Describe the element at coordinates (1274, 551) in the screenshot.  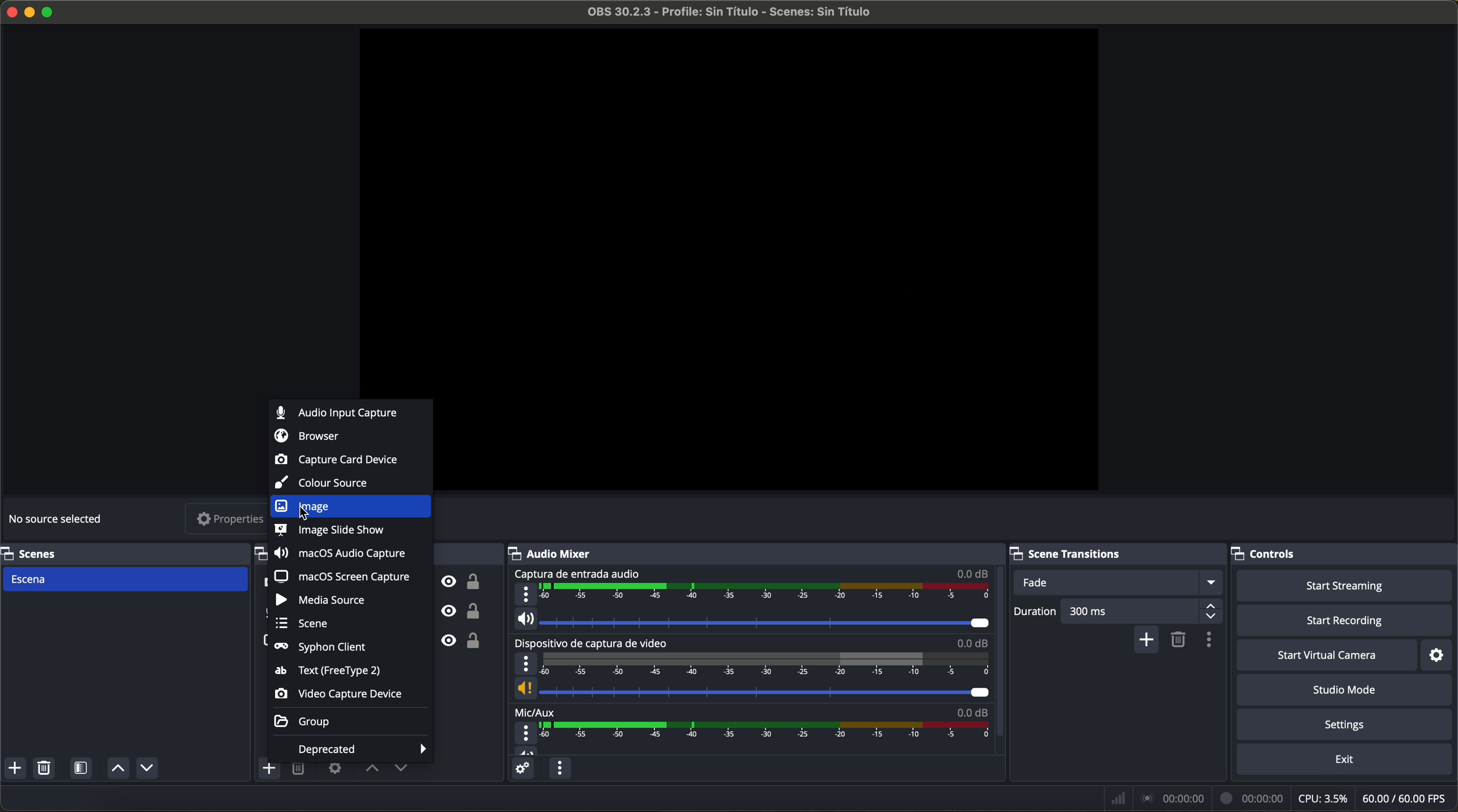
I see `controls` at that location.